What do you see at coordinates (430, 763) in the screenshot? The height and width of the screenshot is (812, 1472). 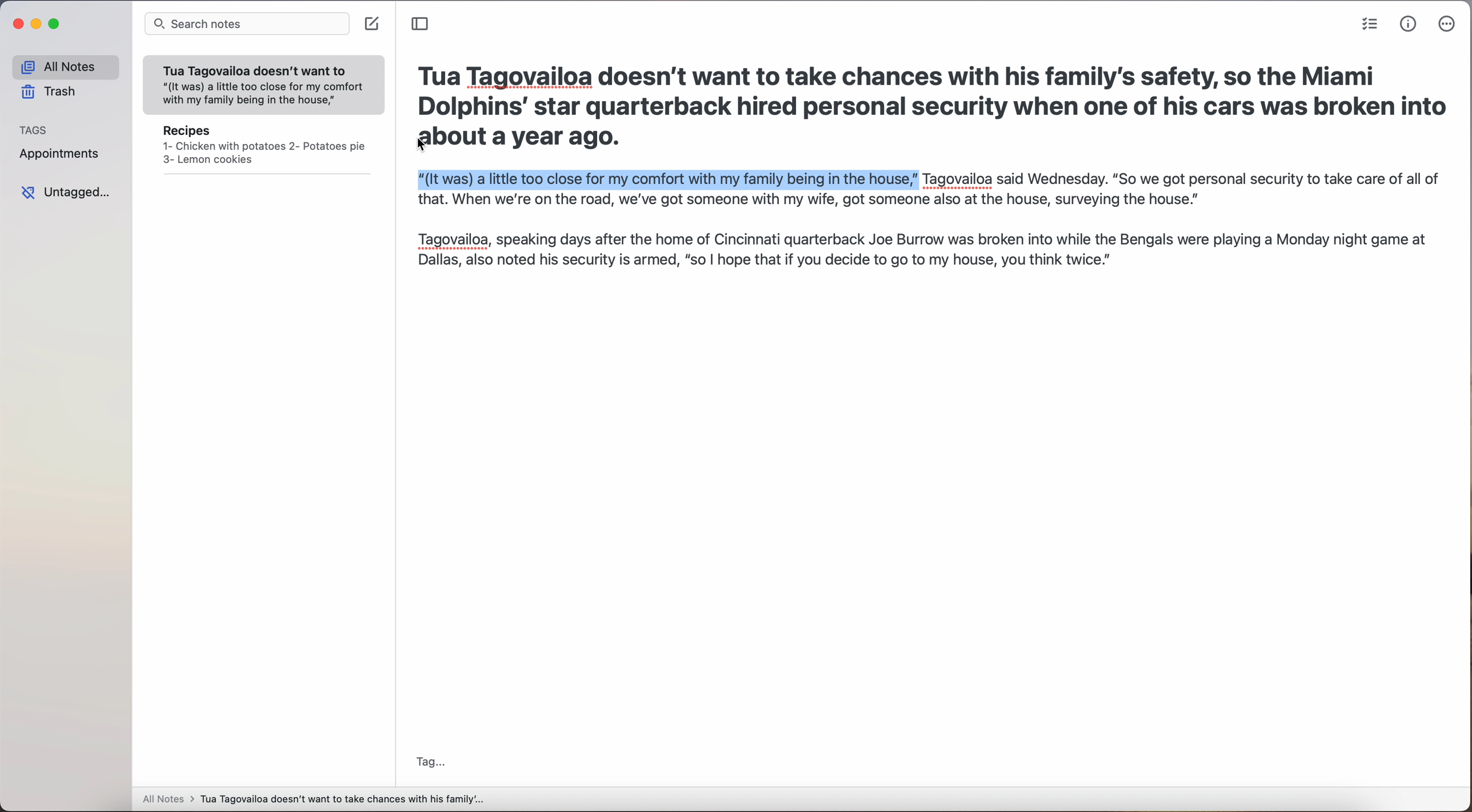 I see `tag` at bounding box center [430, 763].